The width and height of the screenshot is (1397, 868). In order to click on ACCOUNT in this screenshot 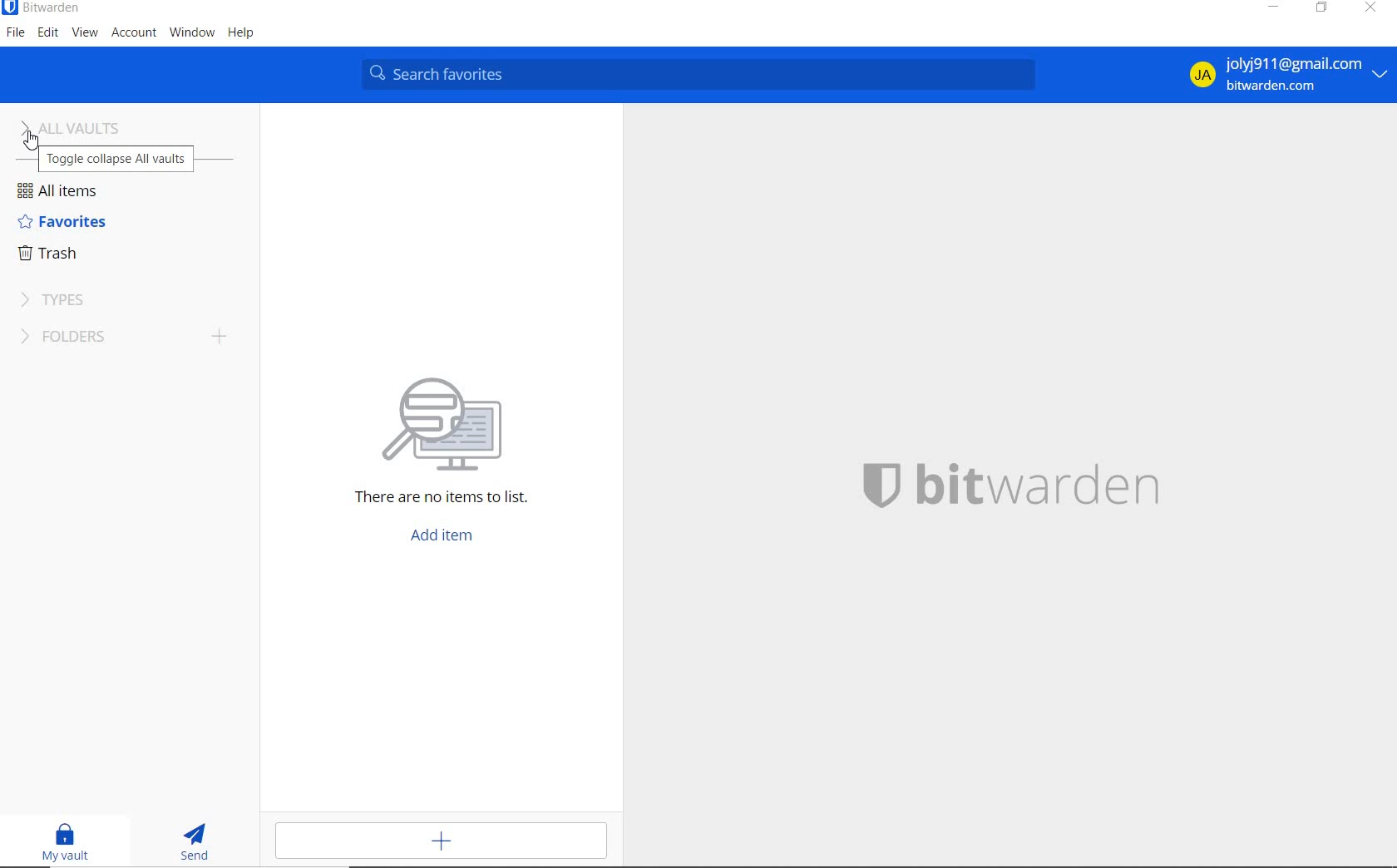, I will do `click(136, 32)`.